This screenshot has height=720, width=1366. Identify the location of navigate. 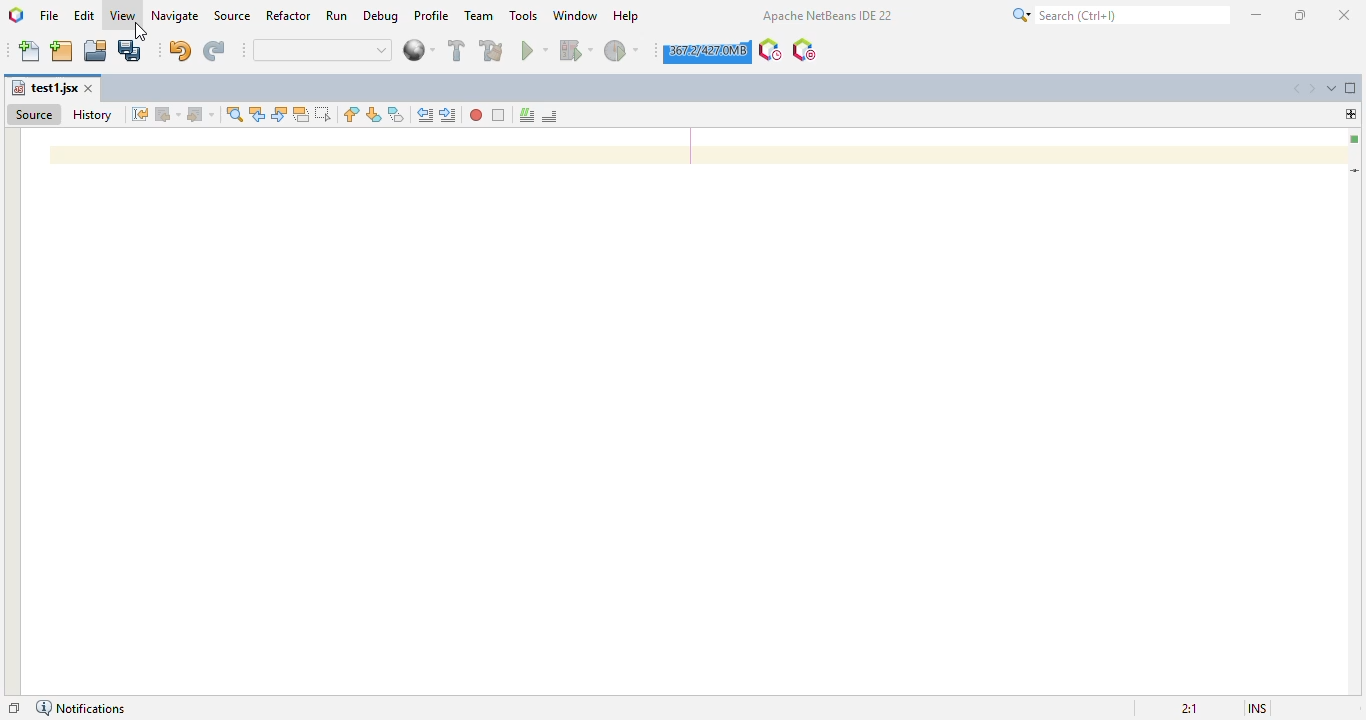
(176, 16).